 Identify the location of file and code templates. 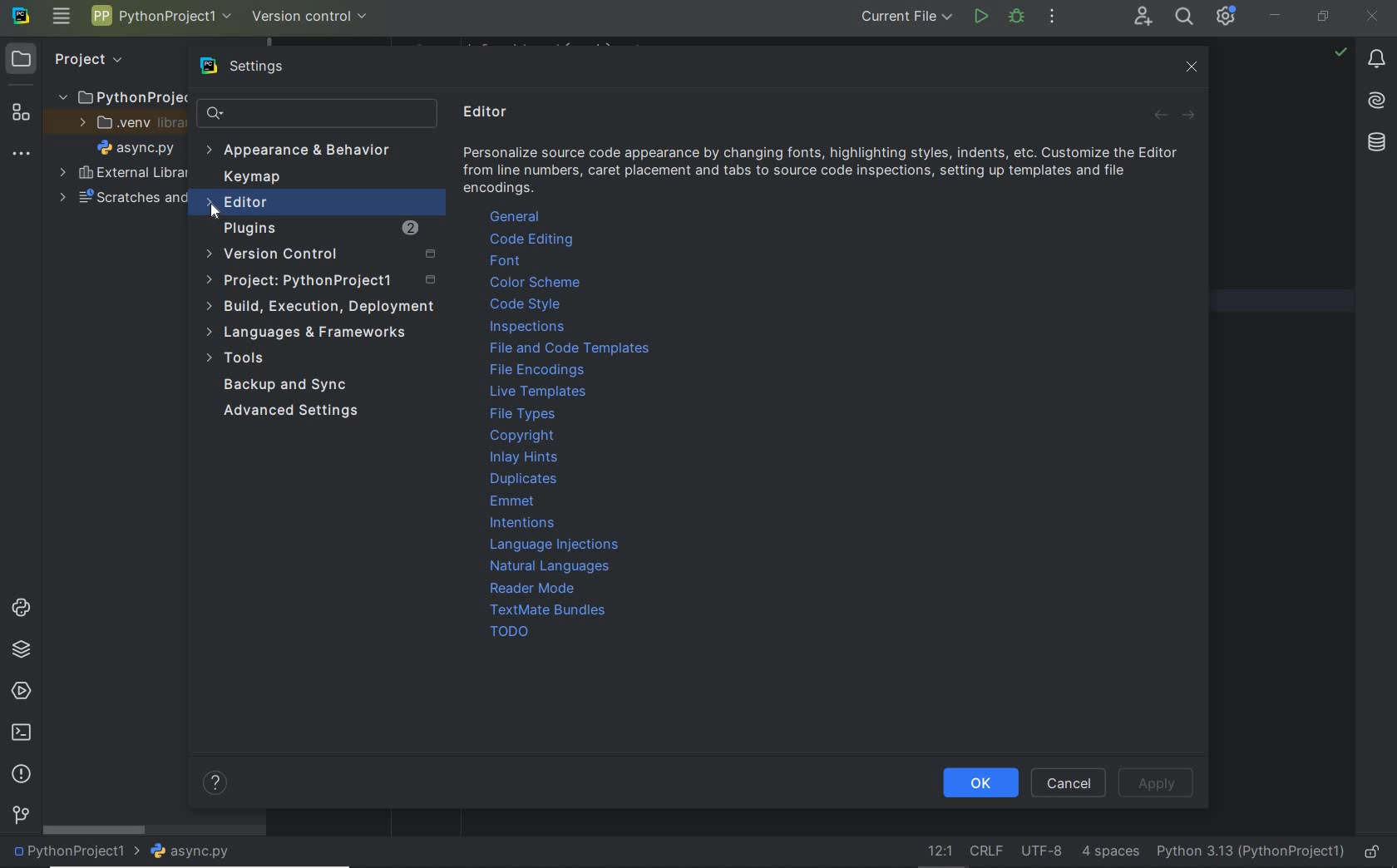
(570, 350).